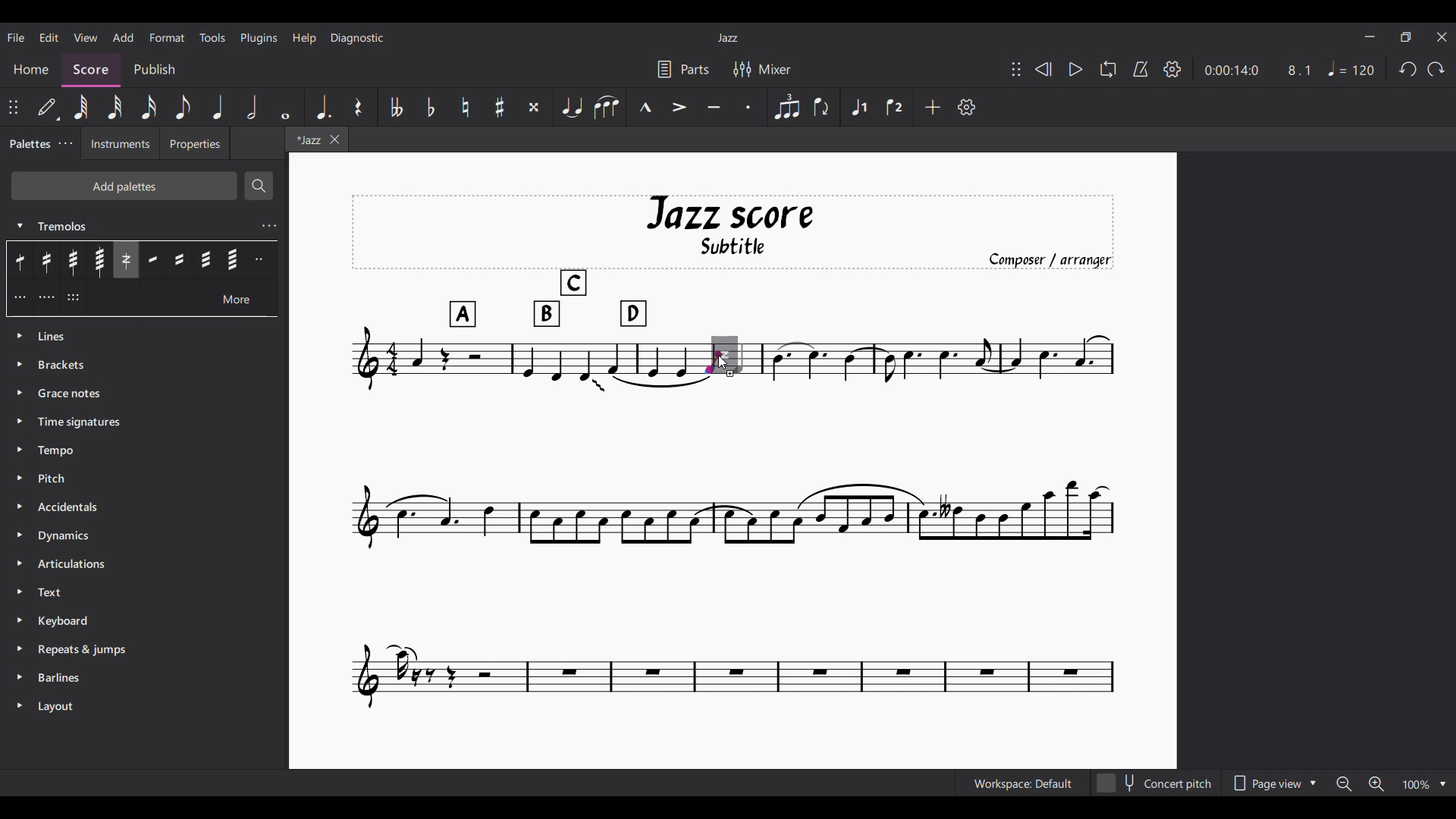 This screenshot has width=1456, height=819. Describe the element at coordinates (86, 37) in the screenshot. I see `View` at that location.